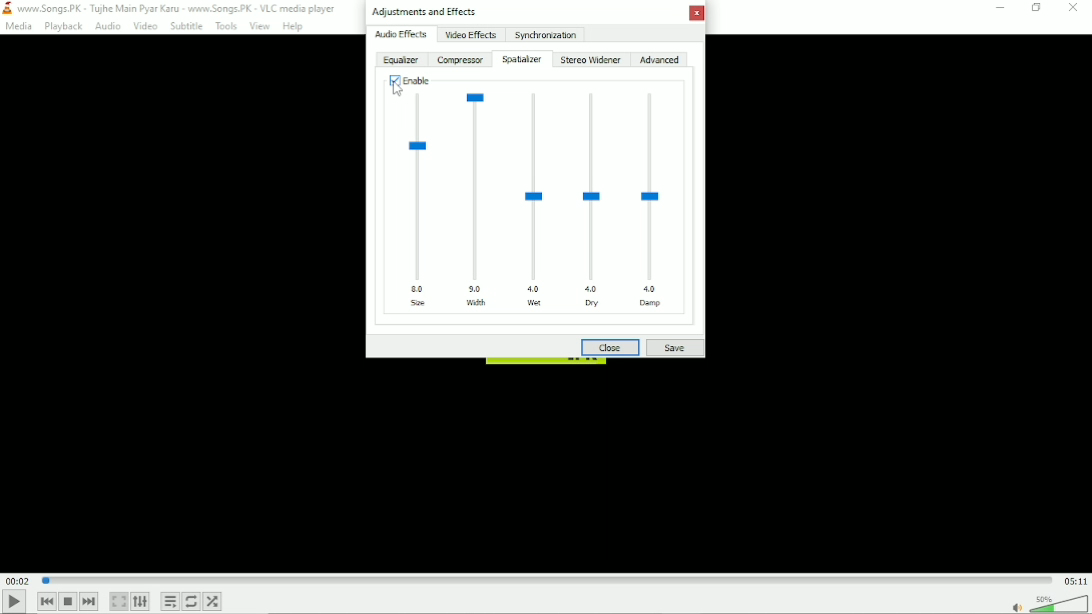 This screenshot has height=614, width=1092. Describe the element at coordinates (1059, 604) in the screenshot. I see `Volume` at that location.